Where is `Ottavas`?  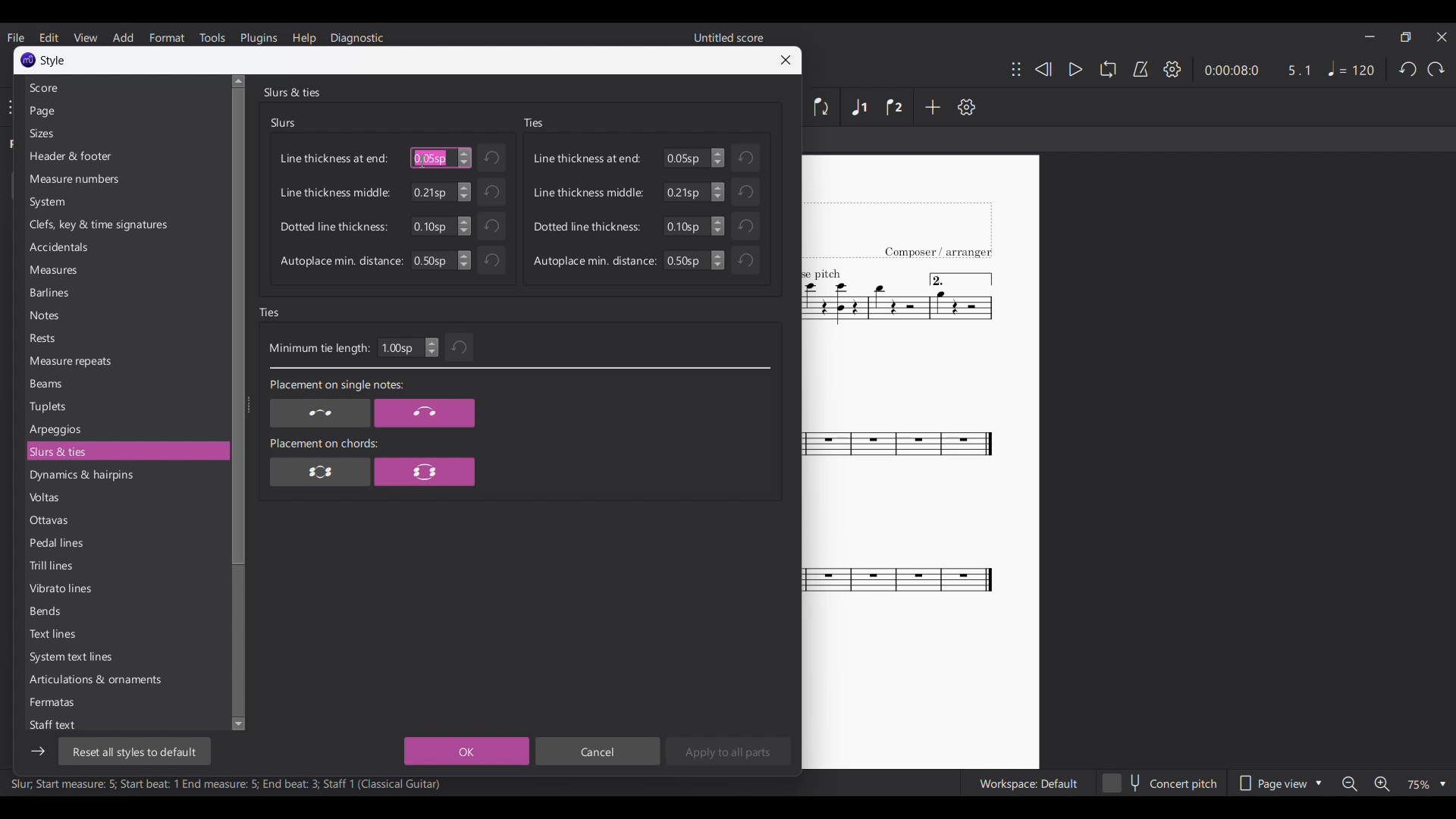 Ottavas is located at coordinates (125, 520).